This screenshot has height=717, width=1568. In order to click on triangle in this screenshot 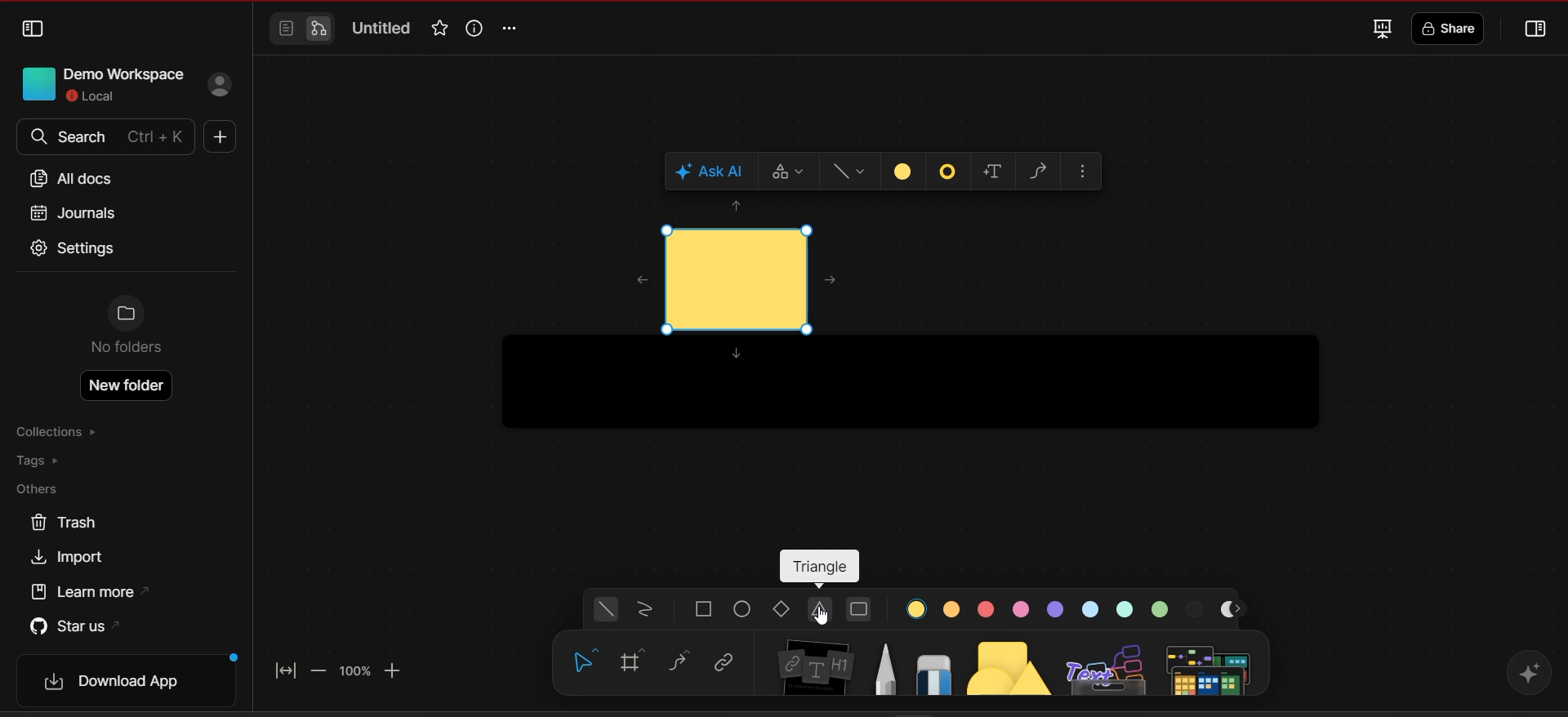, I will do `click(817, 566)`.